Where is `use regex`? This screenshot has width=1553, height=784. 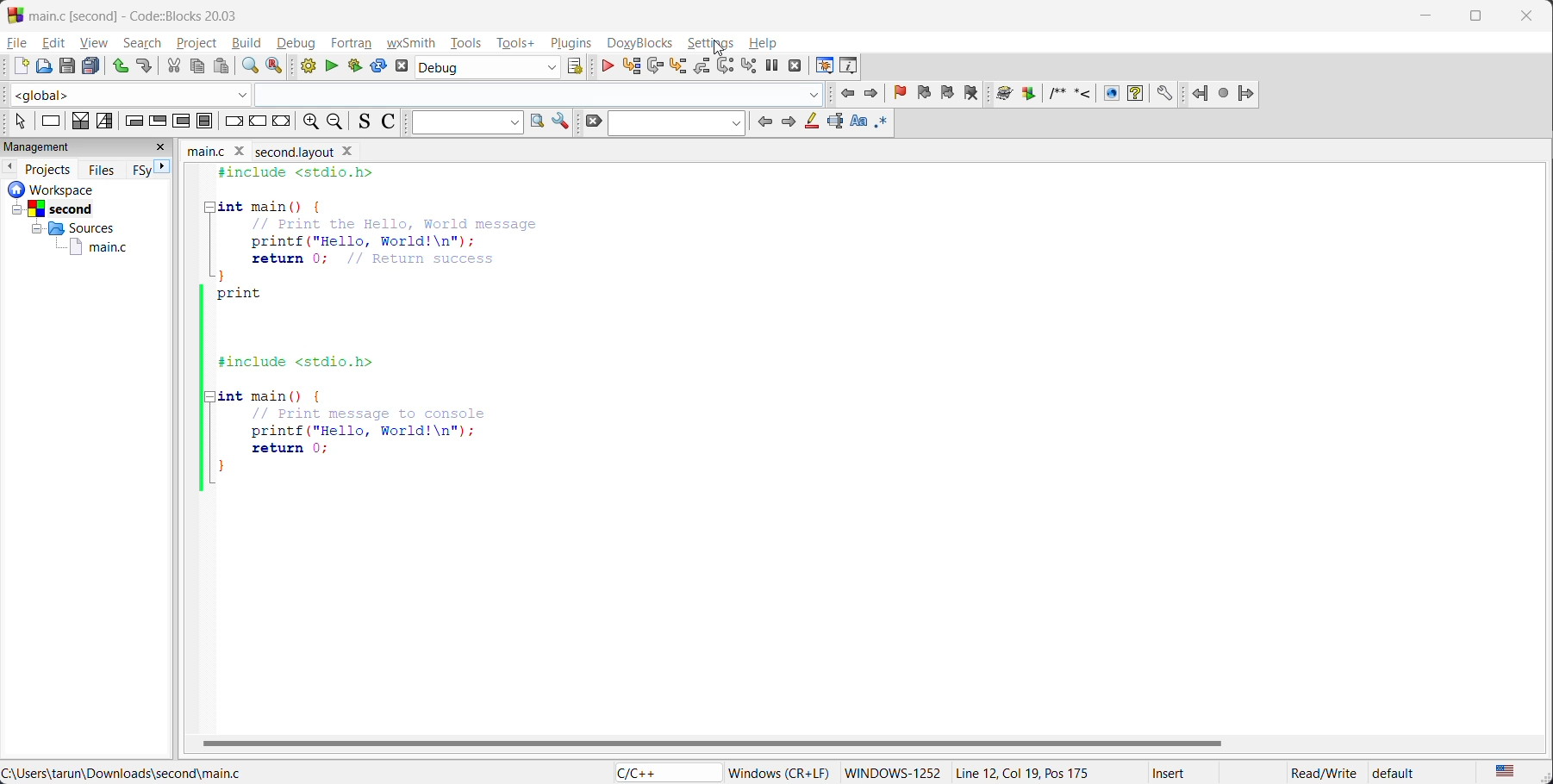 use regex is located at coordinates (883, 124).